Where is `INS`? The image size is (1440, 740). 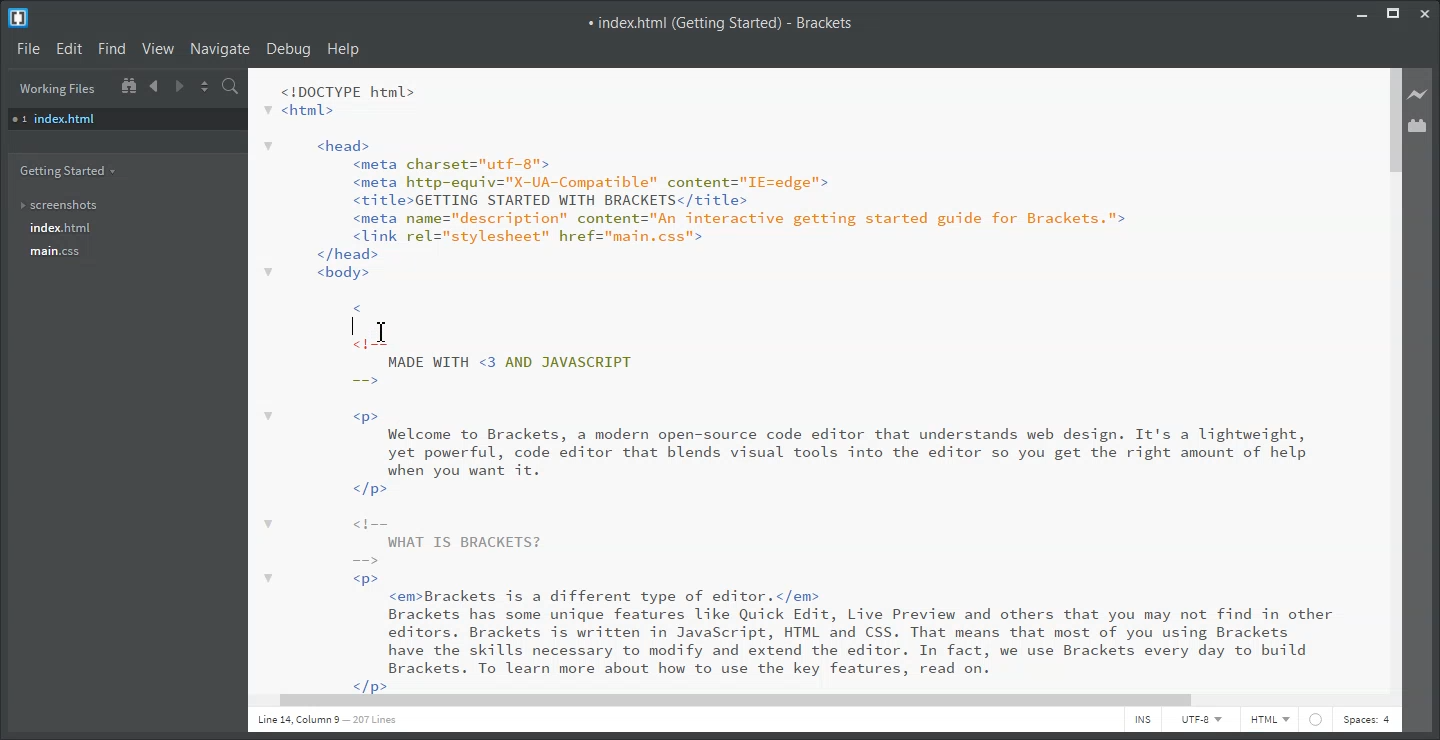
INS is located at coordinates (1143, 721).